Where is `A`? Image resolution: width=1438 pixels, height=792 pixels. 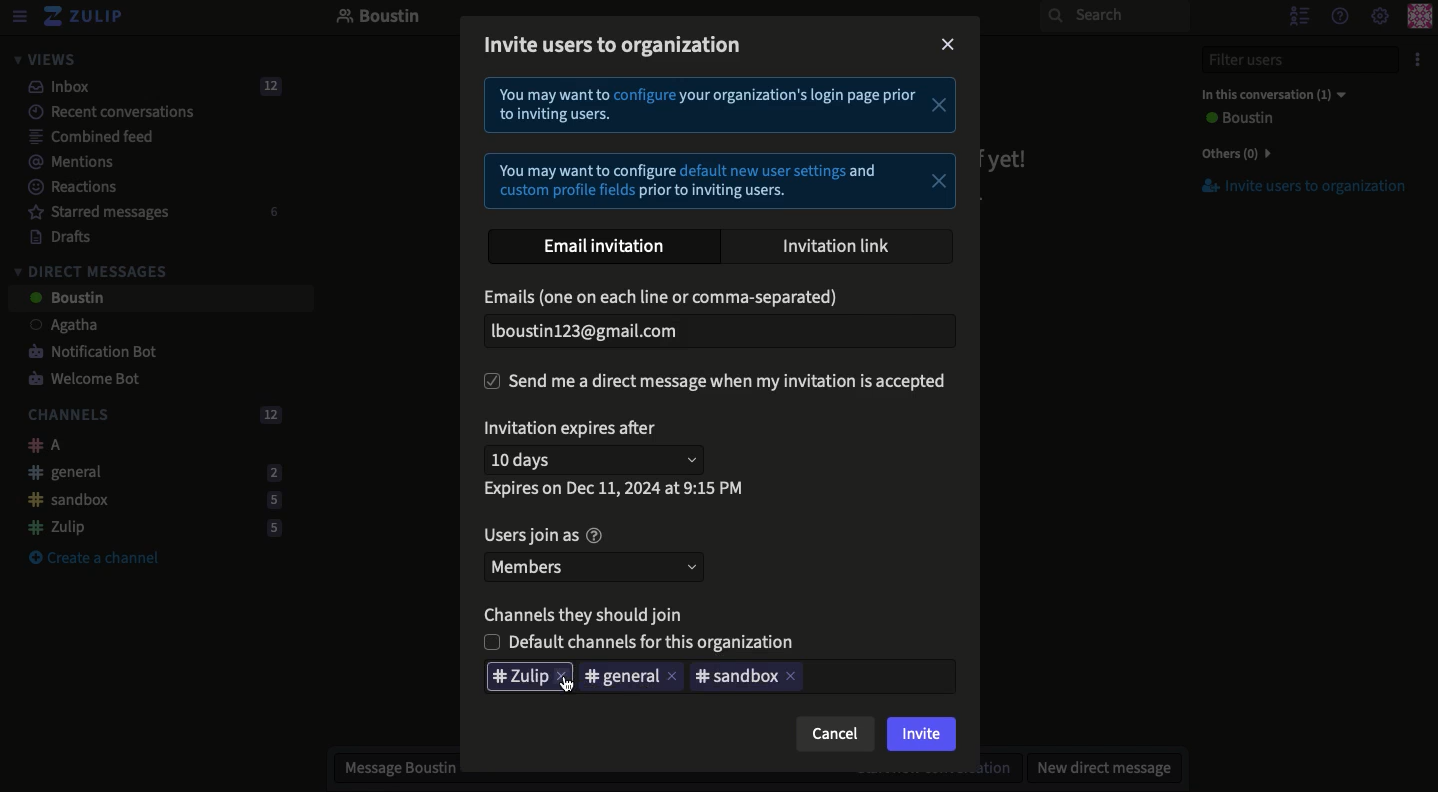
A is located at coordinates (39, 445).